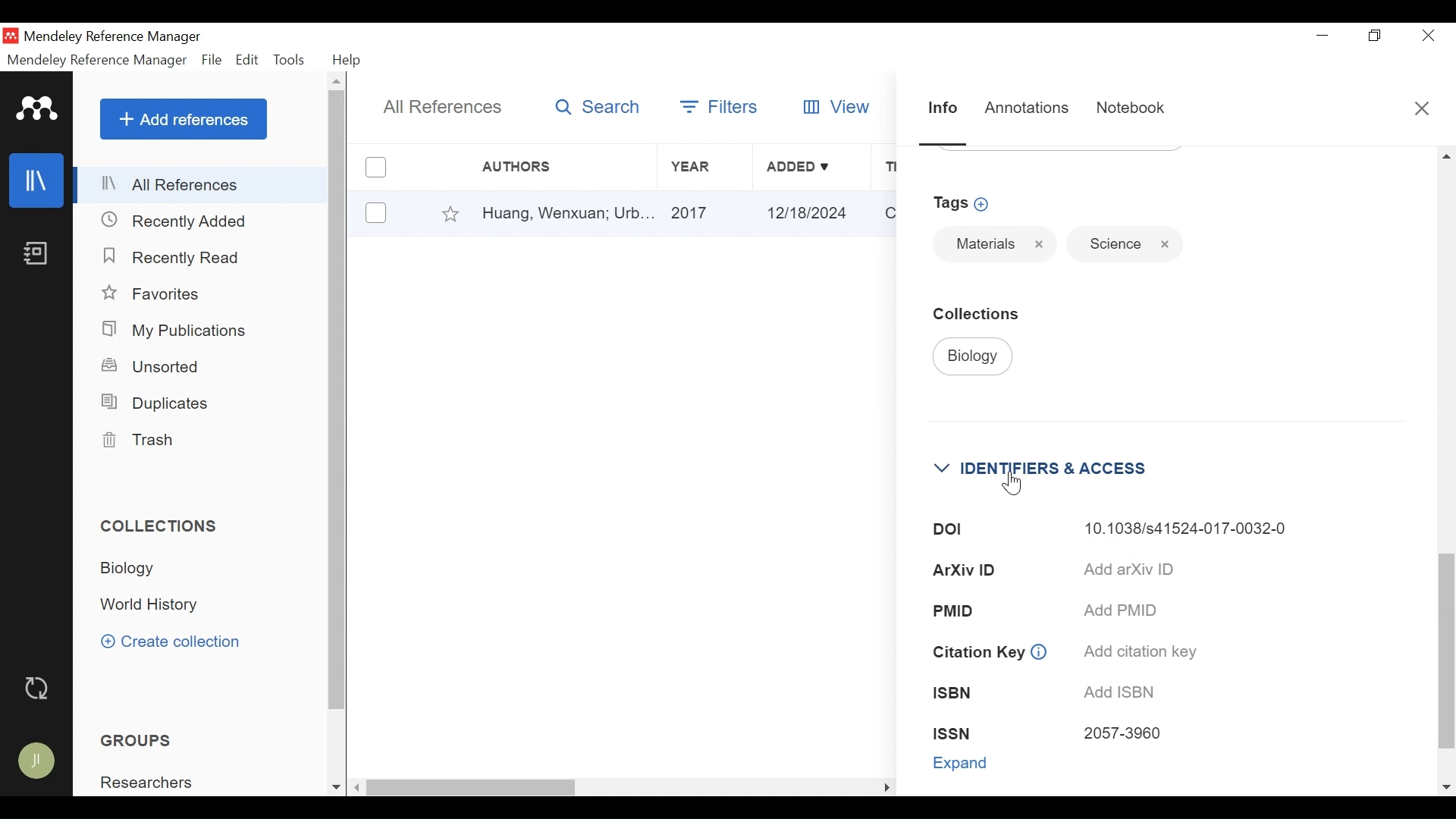  What do you see at coordinates (176, 258) in the screenshot?
I see `Recently Read` at bounding box center [176, 258].